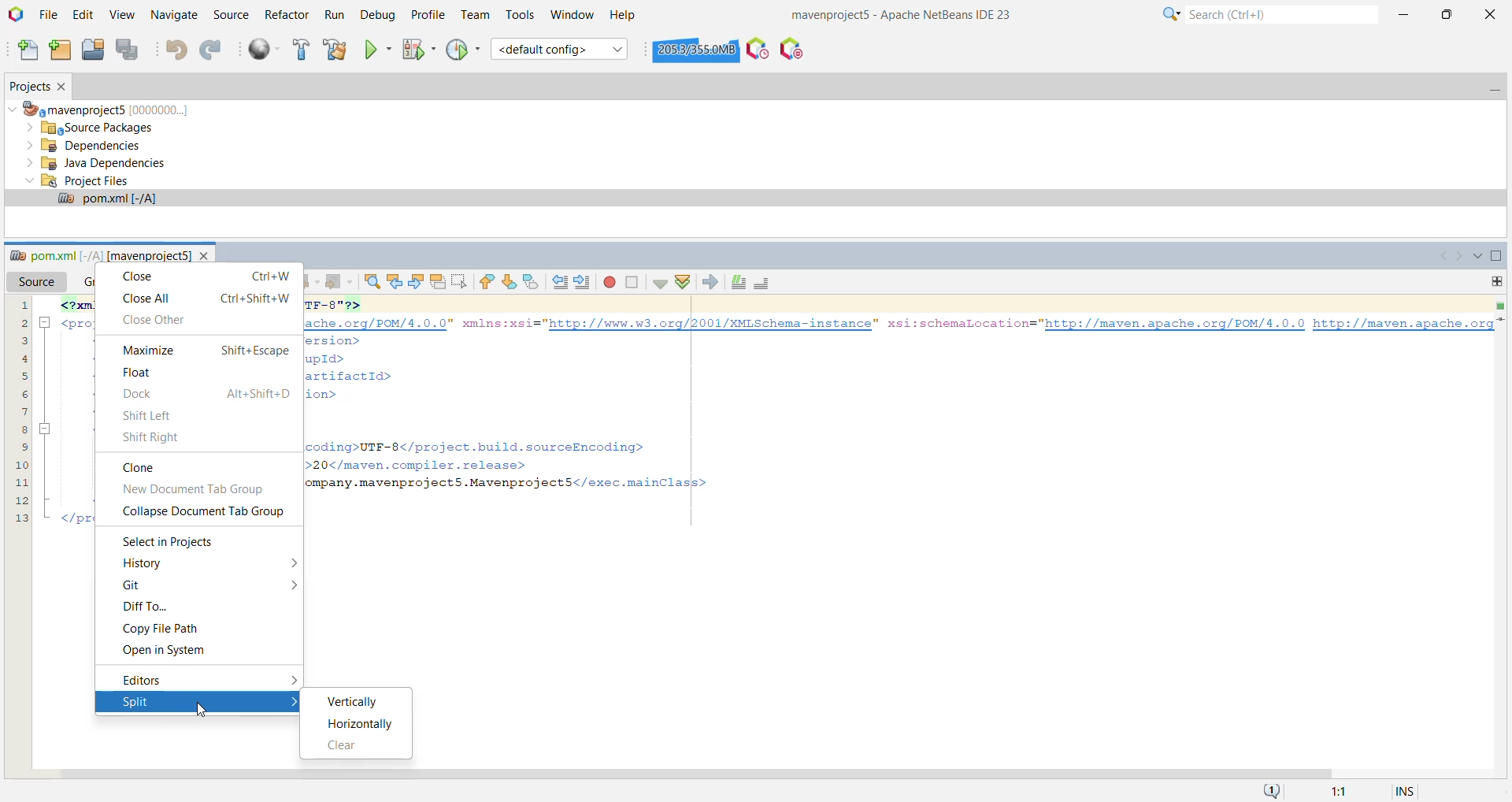 The width and height of the screenshot is (1512, 802). Describe the element at coordinates (286, 13) in the screenshot. I see `Refactor` at that location.